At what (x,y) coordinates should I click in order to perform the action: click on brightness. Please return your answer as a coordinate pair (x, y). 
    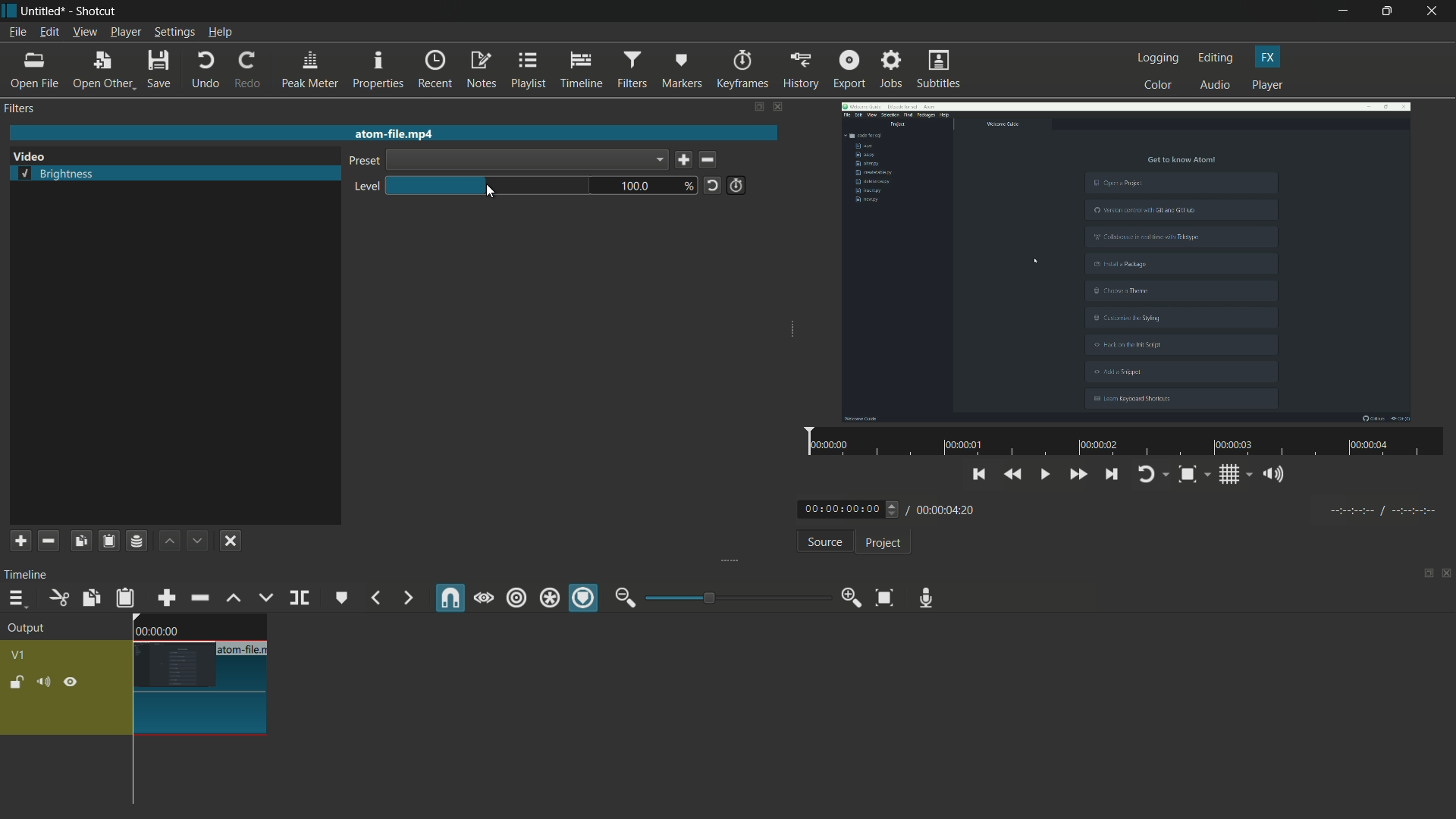
    Looking at the image, I should click on (58, 175).